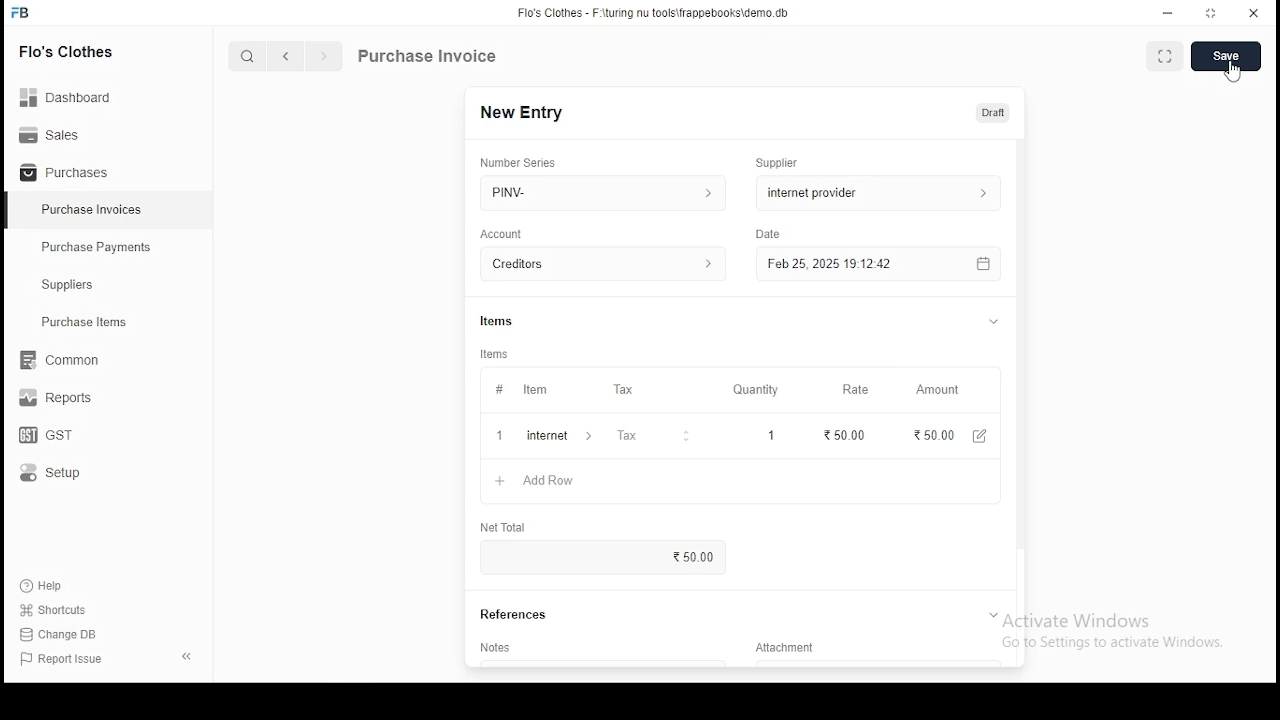 The image size is (1280, 720). Describe the element at coordinates (519, 162) in the screenshot. I see `number series` at that location.